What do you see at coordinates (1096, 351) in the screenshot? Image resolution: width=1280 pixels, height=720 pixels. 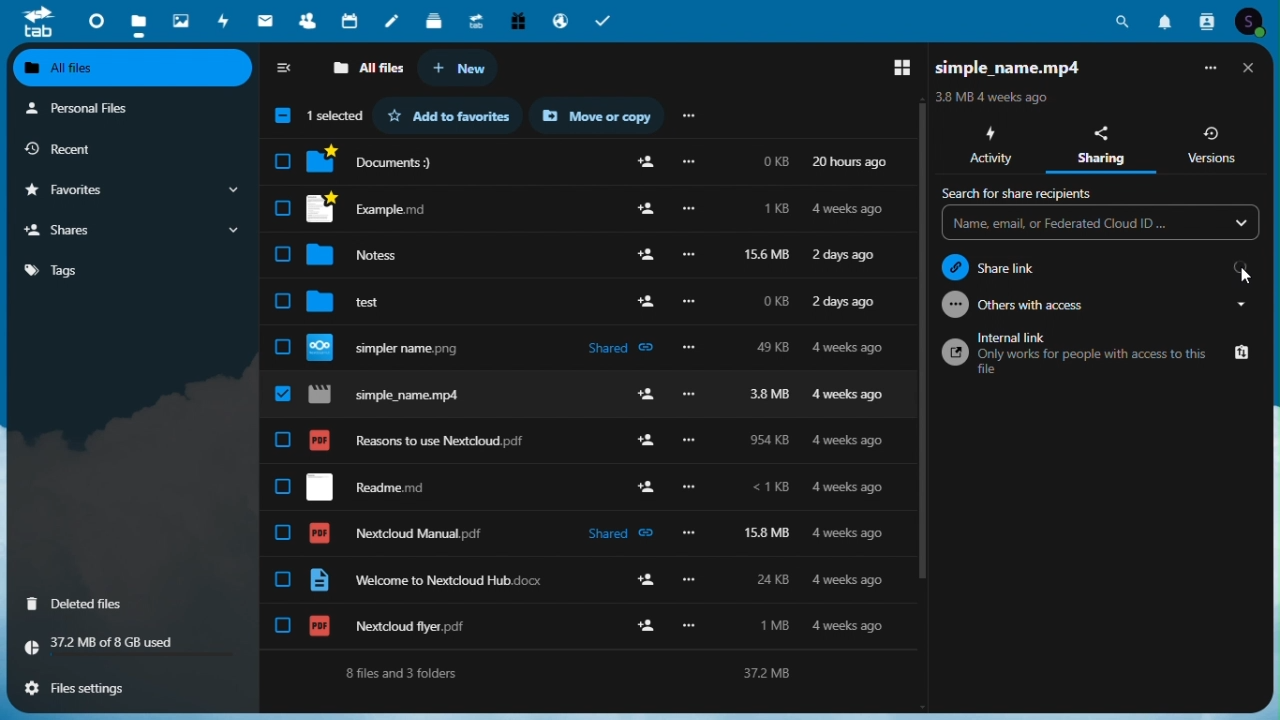 I see `Internal link` at bounding box center [1096, 351].